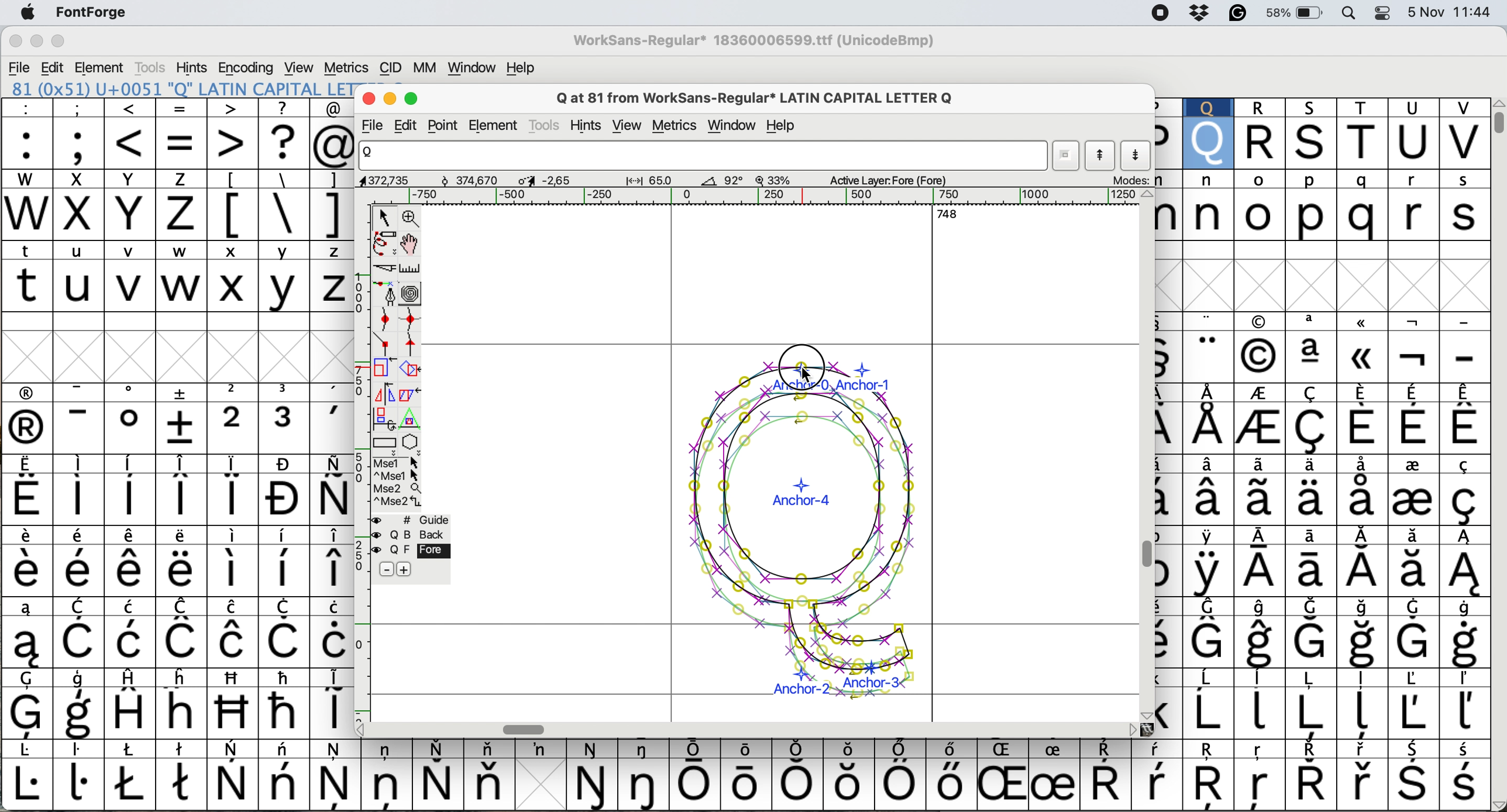  I want to click on close, so click(15, 40).